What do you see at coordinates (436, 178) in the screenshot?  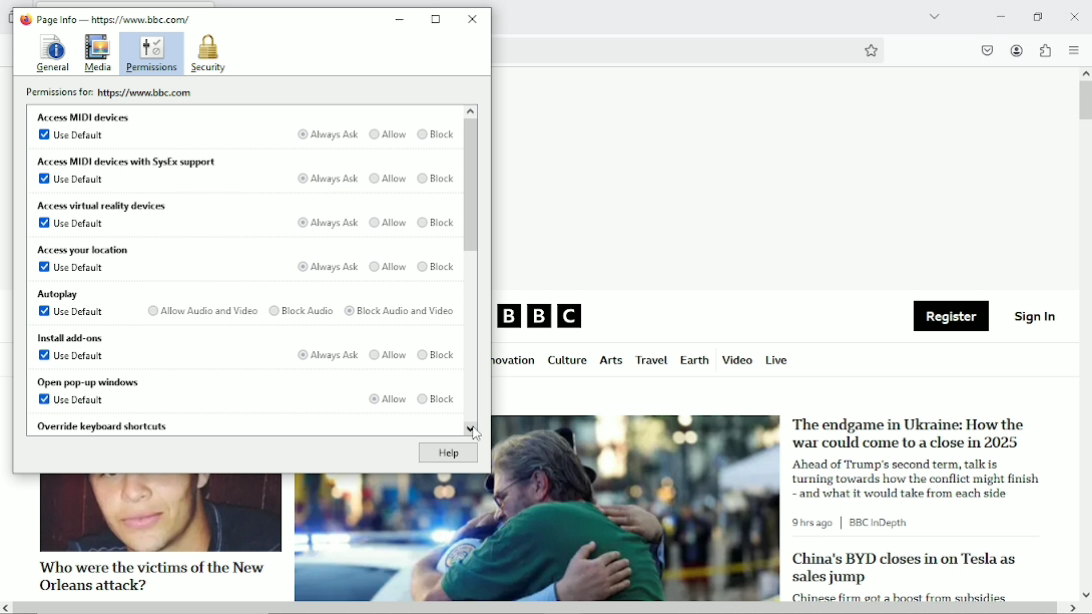 I see `Block` at bounding box center [436, 178].